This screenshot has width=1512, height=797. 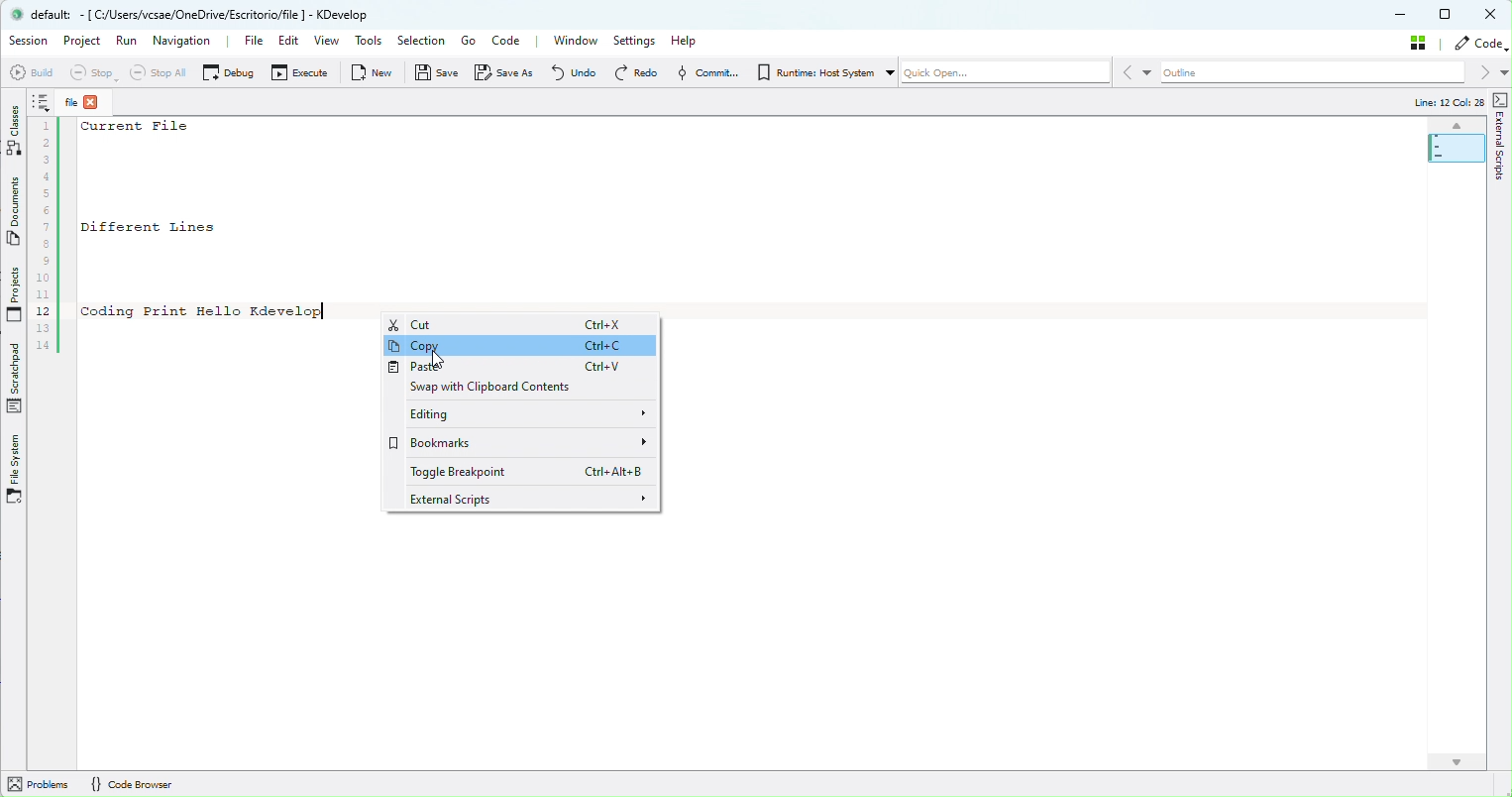 I want to click on 1urrent Files234567| Different Lines5s10112| coding Print Hello Kdevelop|1314, so click(x=188, y=239).